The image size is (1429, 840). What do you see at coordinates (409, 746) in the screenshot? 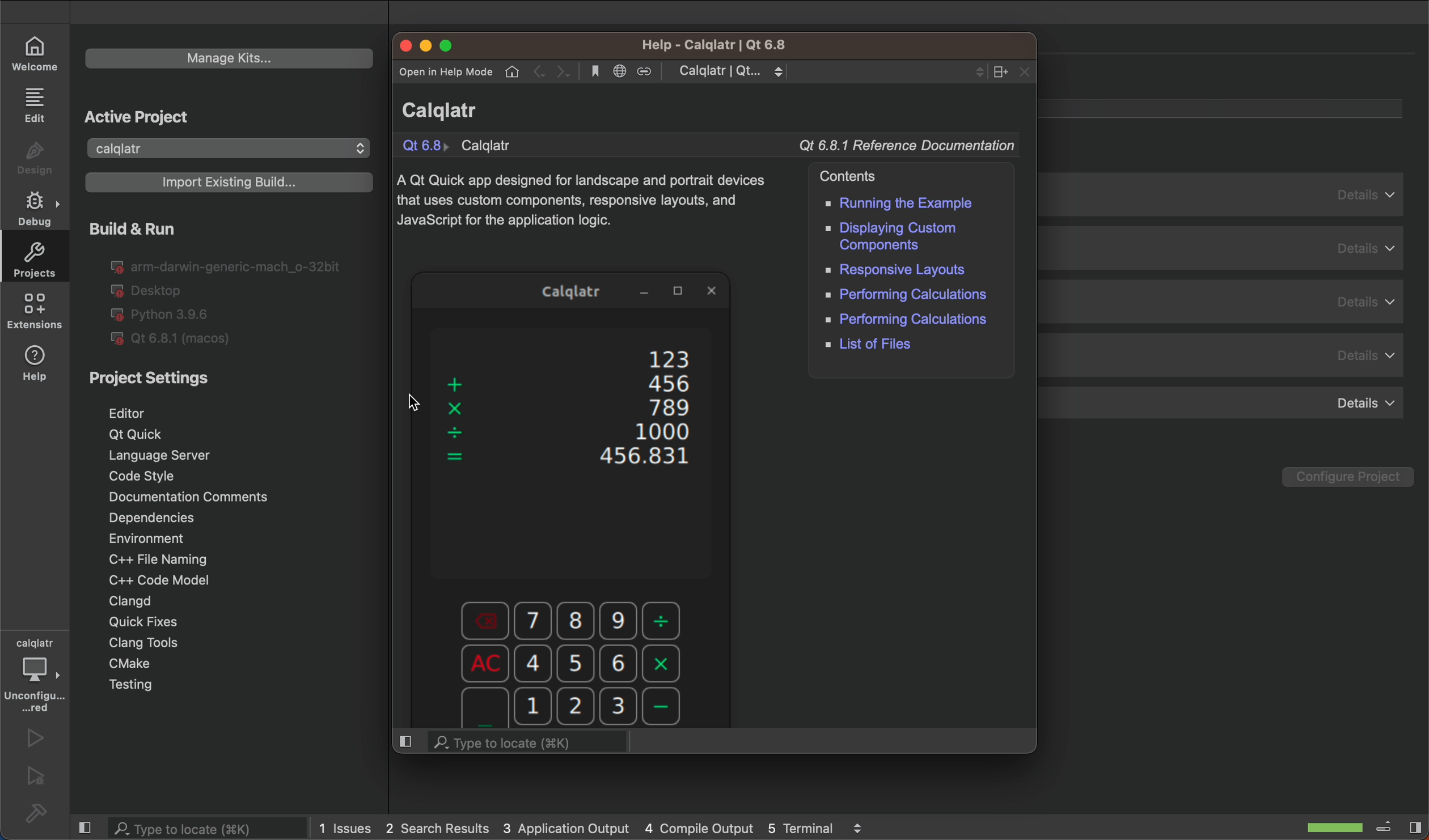
I see `split` at bounding box center [409, 746].